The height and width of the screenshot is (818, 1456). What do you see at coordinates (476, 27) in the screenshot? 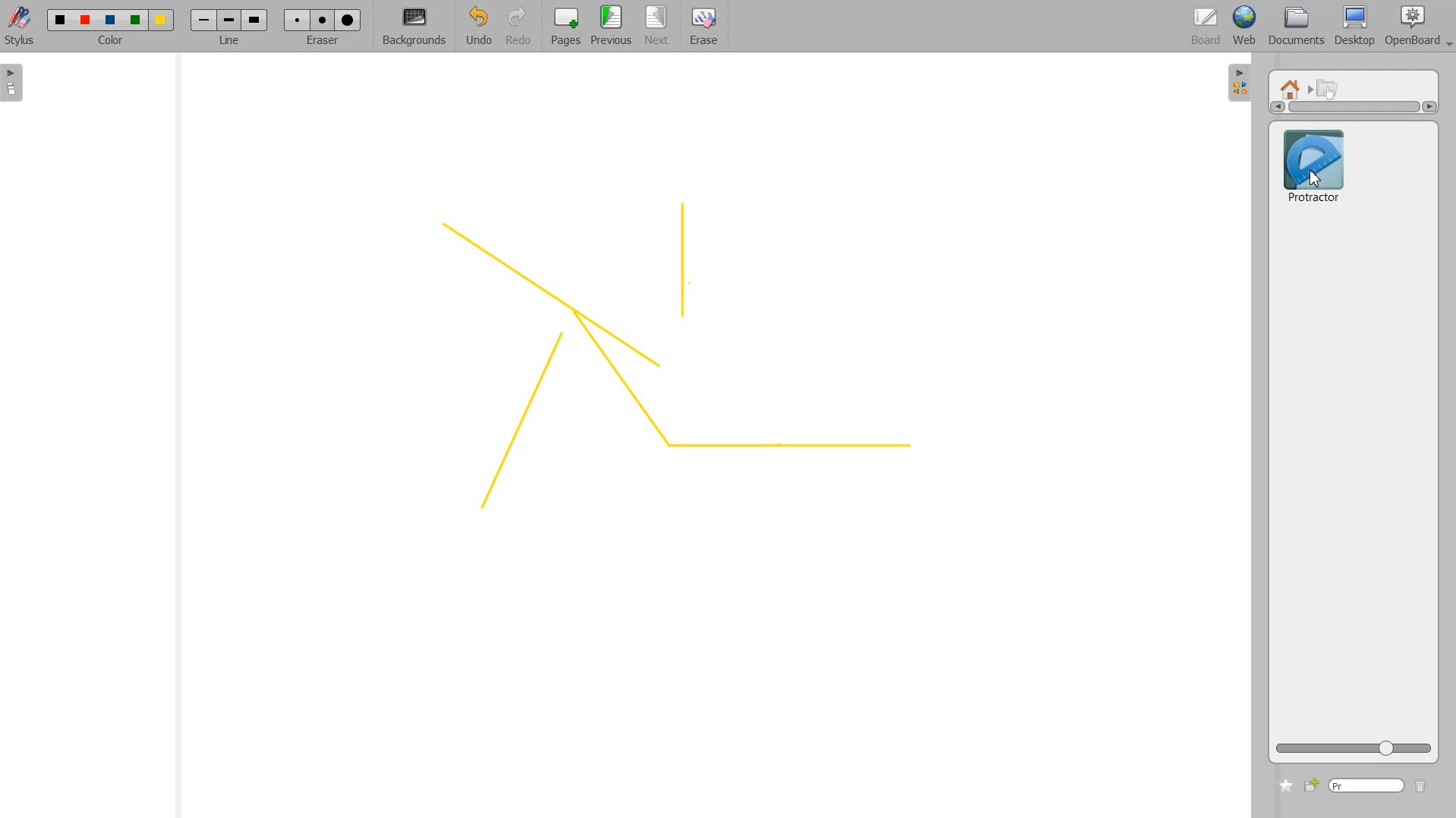
I see `Undo` at bounding box center [476, 27].